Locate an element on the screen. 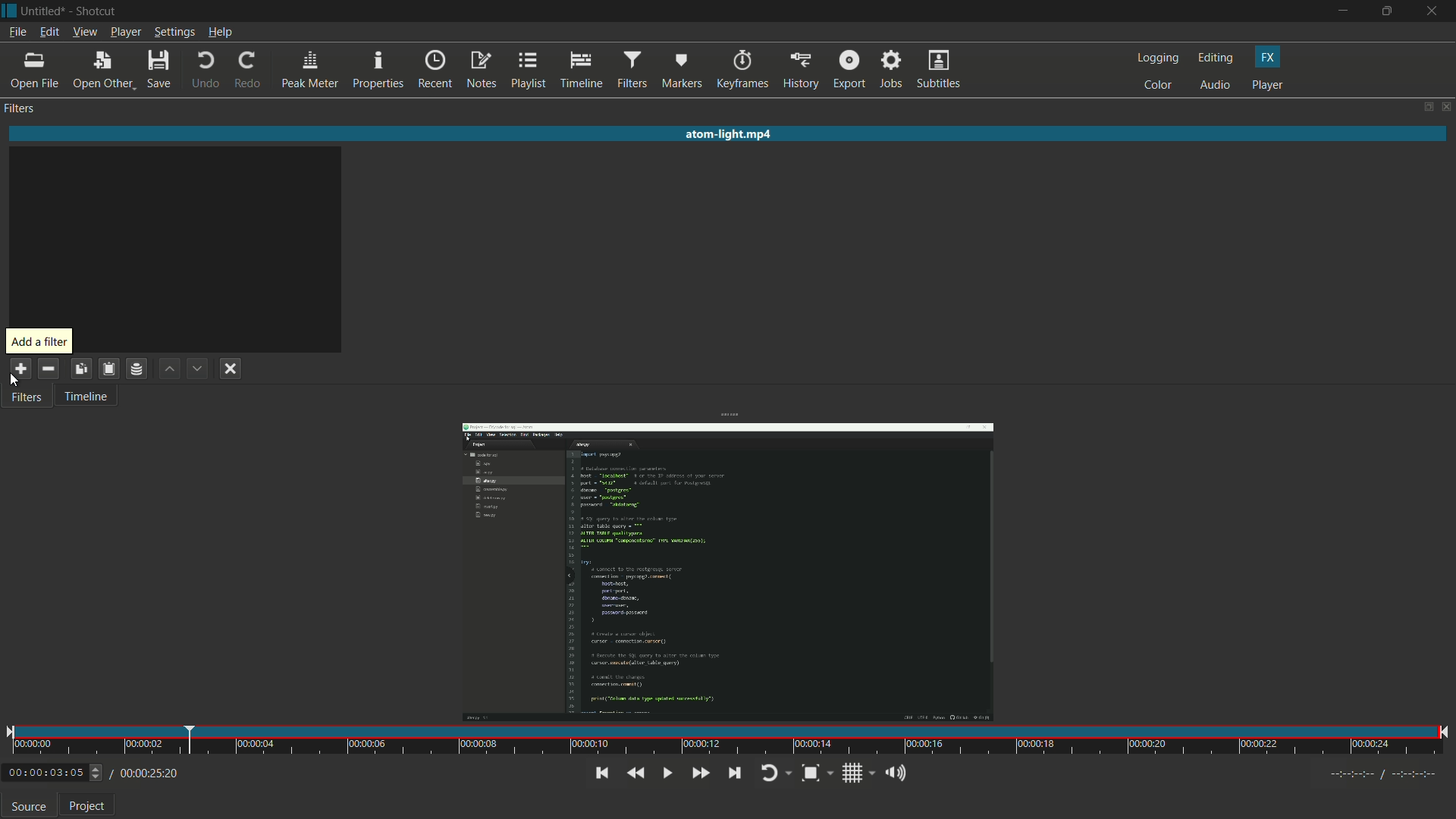  skip to the previous point is located at coordinates (600, 773).